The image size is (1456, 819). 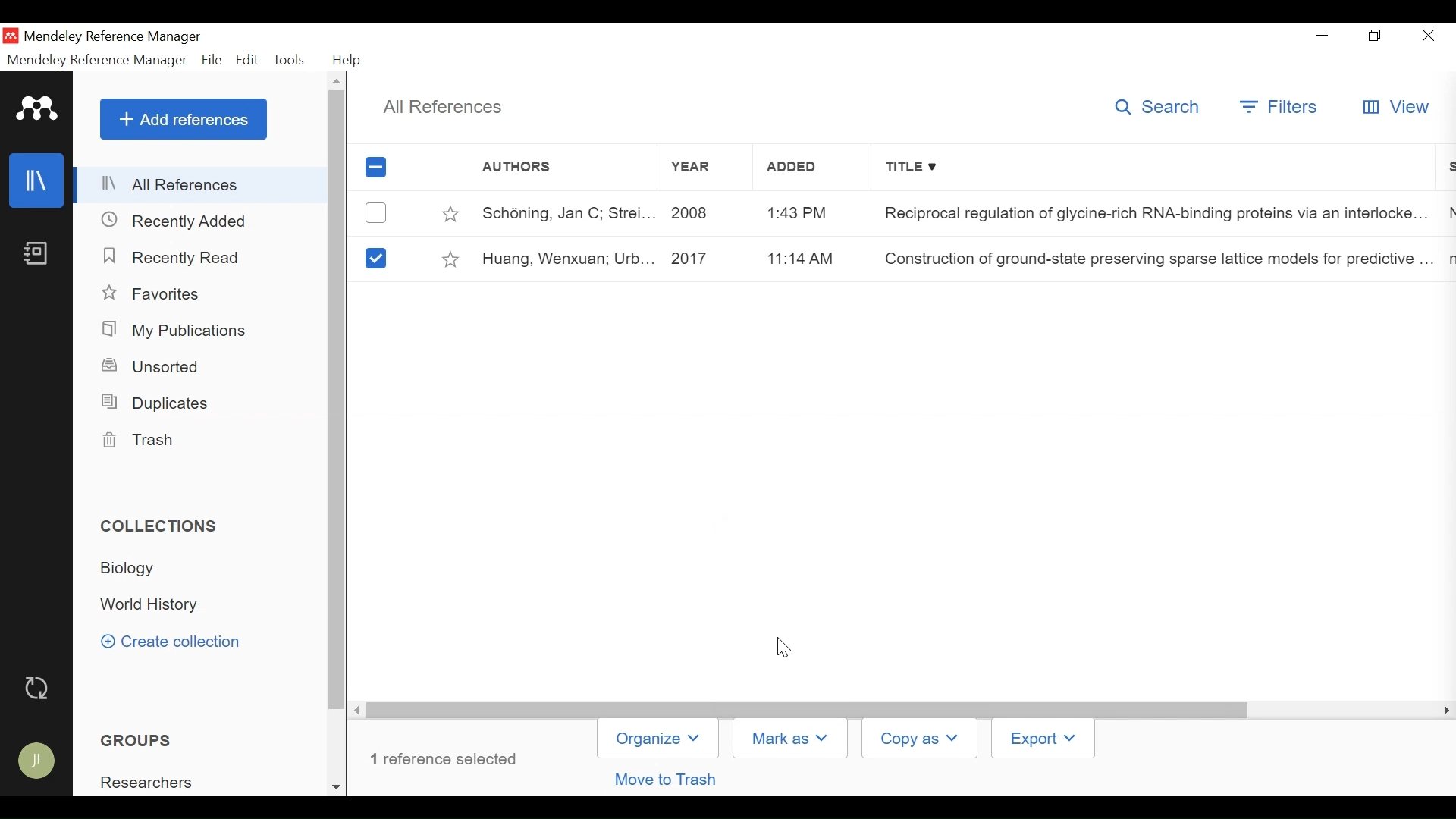 What do you see at coordinates (549, 168) in the screenshot?
I see `Authors` at bounding box center [549, 168].